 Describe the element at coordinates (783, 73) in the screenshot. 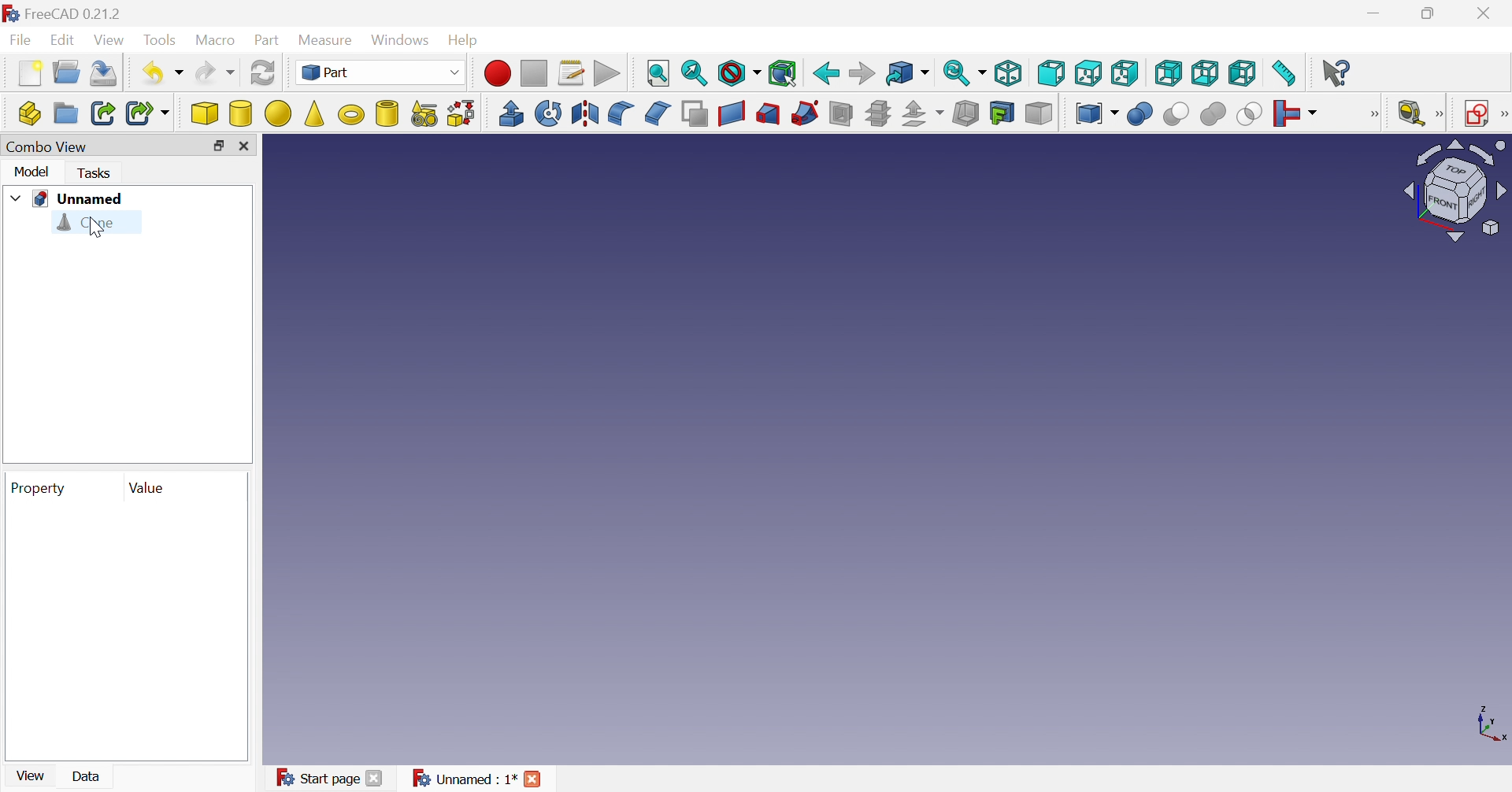

I see `Bounding box` at that location.